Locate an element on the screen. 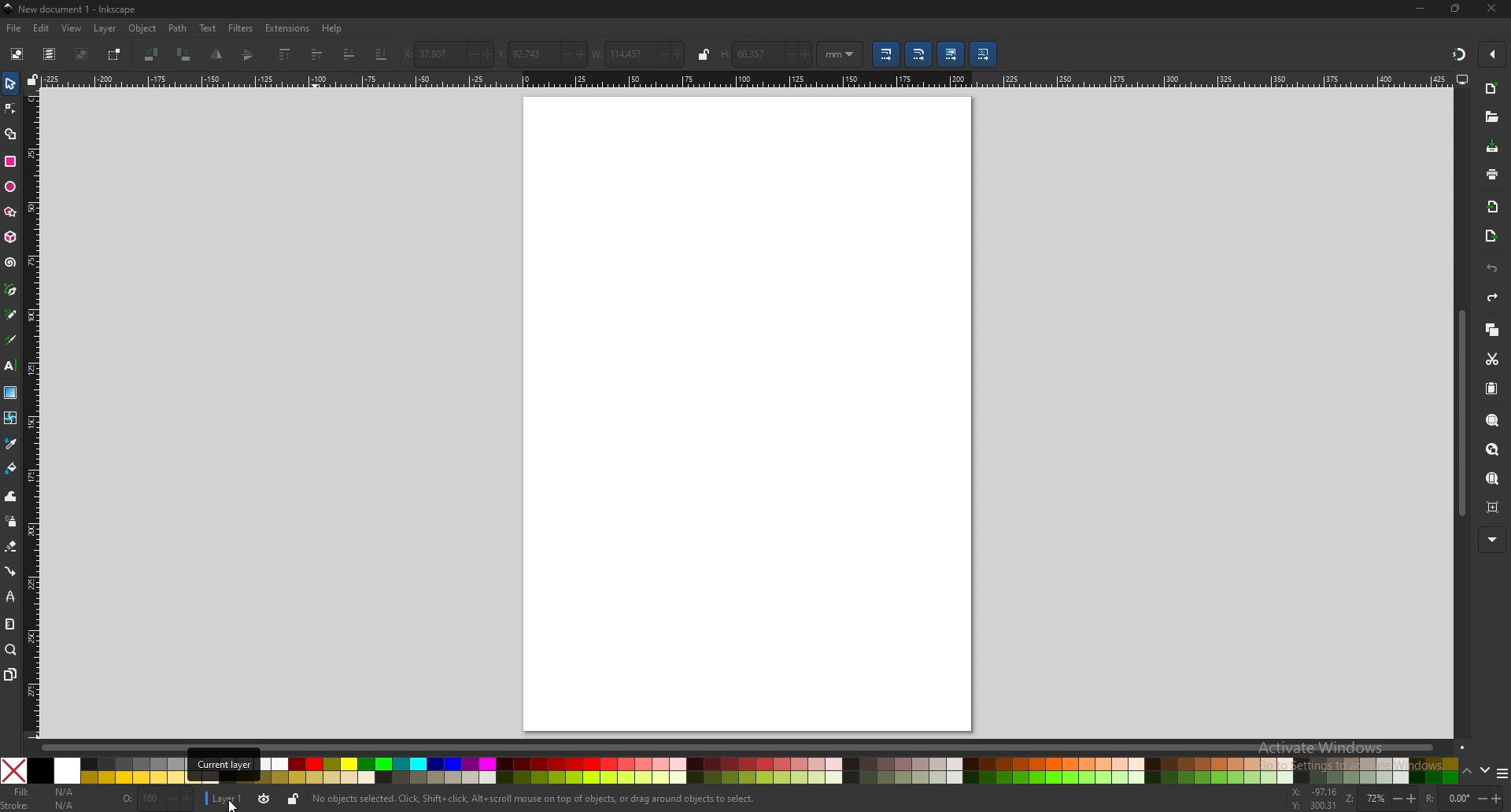 The image size is (1511, 812). no color is located at coordinates (13, 770).